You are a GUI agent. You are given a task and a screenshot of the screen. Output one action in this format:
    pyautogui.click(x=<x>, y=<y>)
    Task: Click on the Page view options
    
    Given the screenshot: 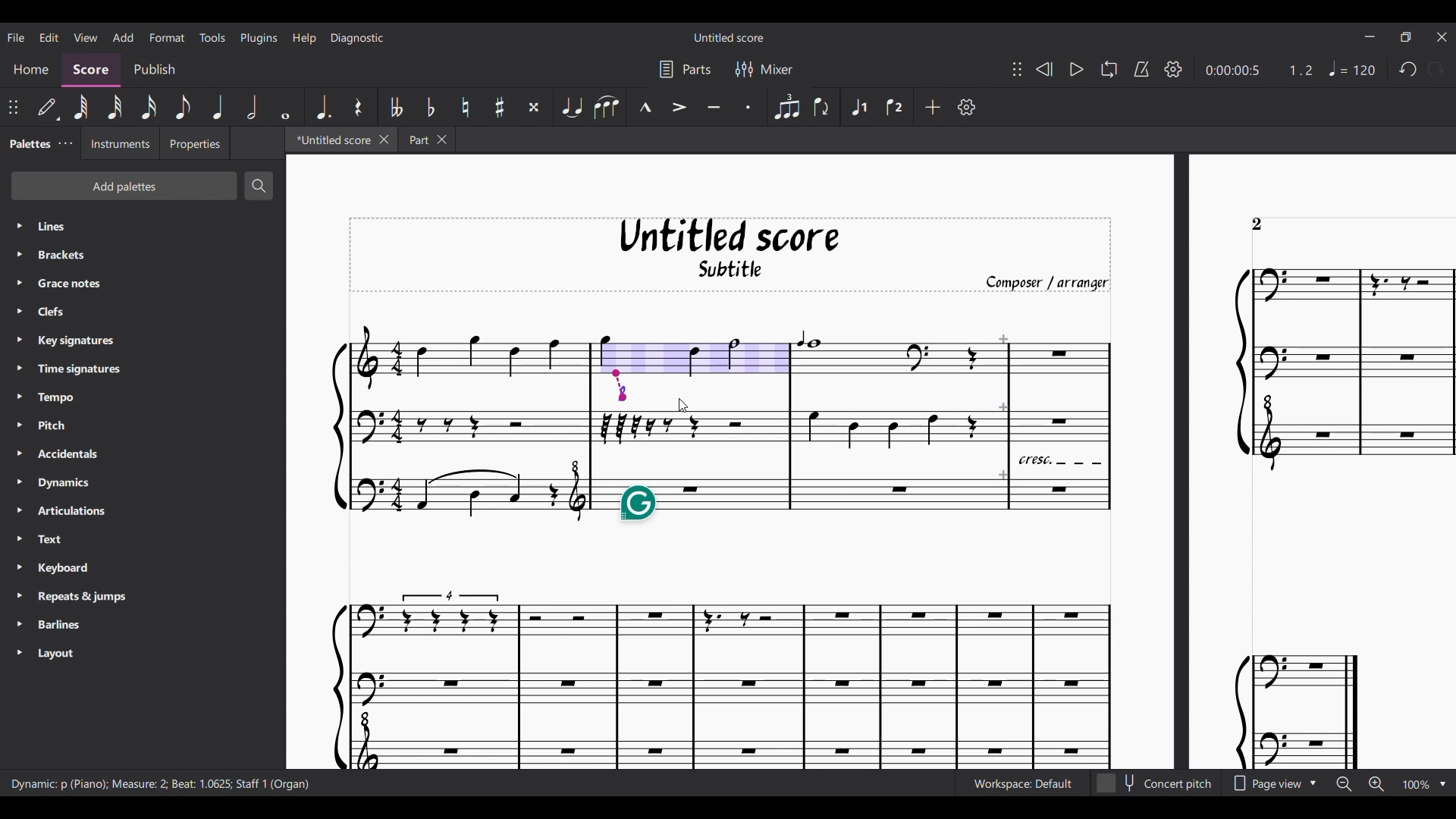 What is the action you would take?
    pyautogui.click(x=1272, y=783)
    